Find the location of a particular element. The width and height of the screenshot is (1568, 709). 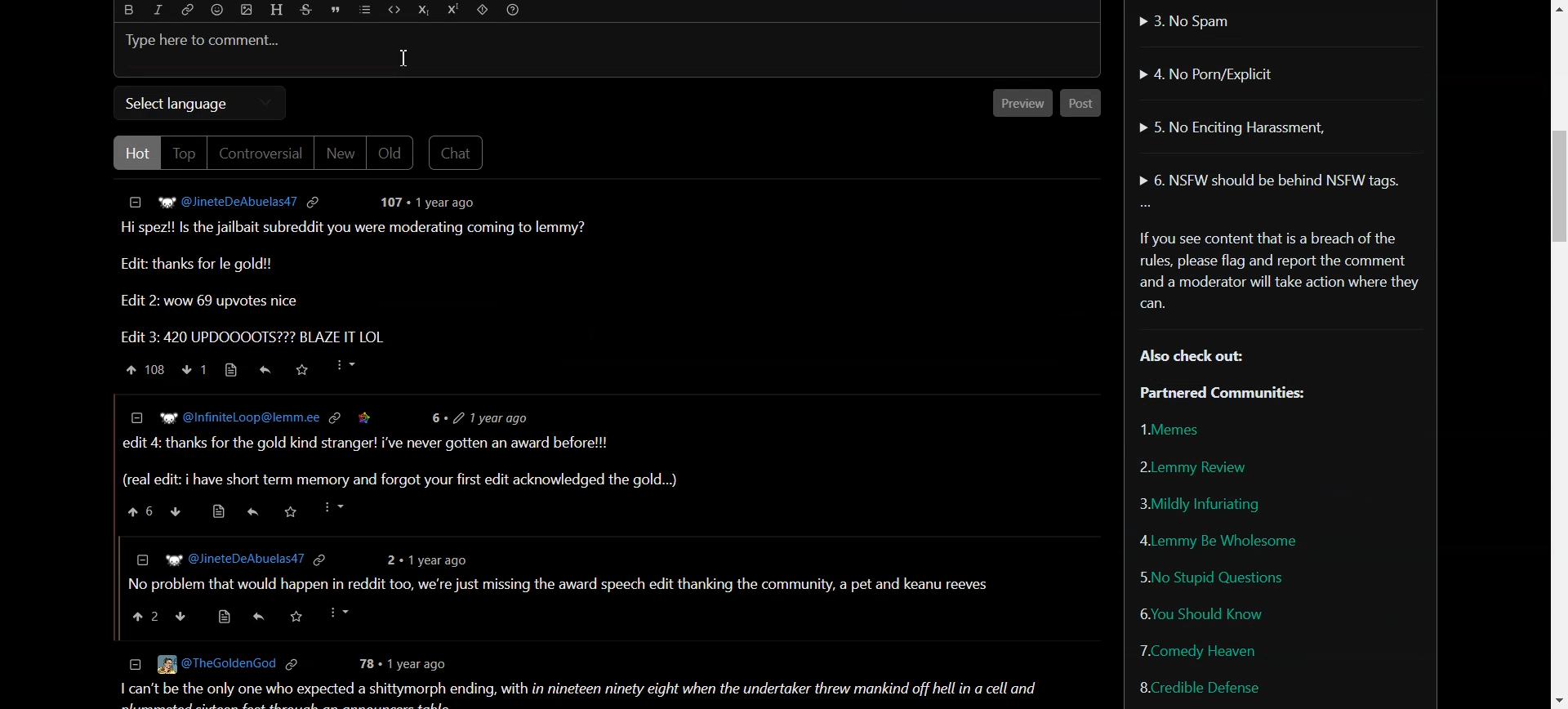

1 can't be the only one who expected a shittymorph ending, with in nineteen ninety eight when the undertaker threw mankind off hell in a cell and is located at coordinates (572, 689).